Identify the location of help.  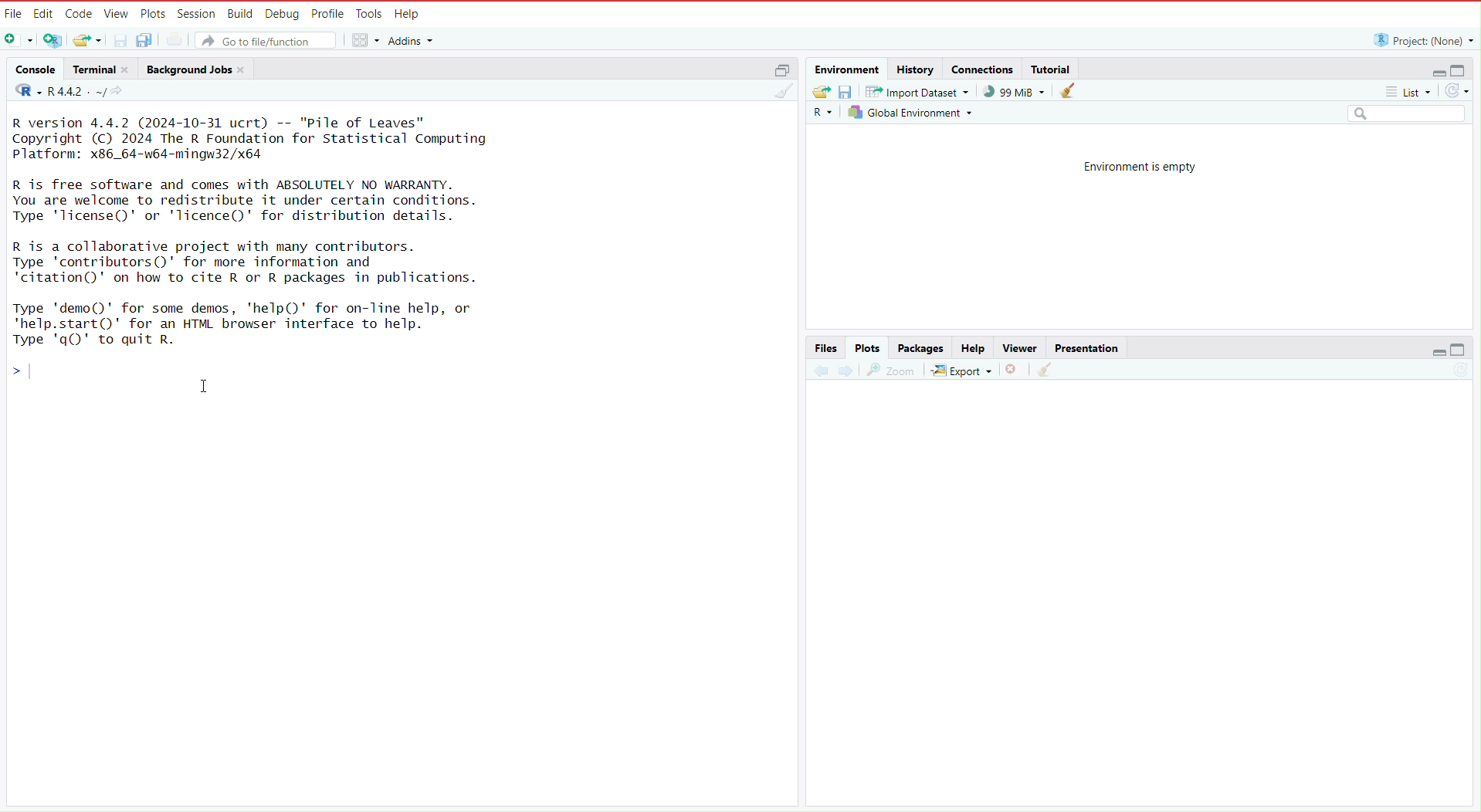
(971, 347).